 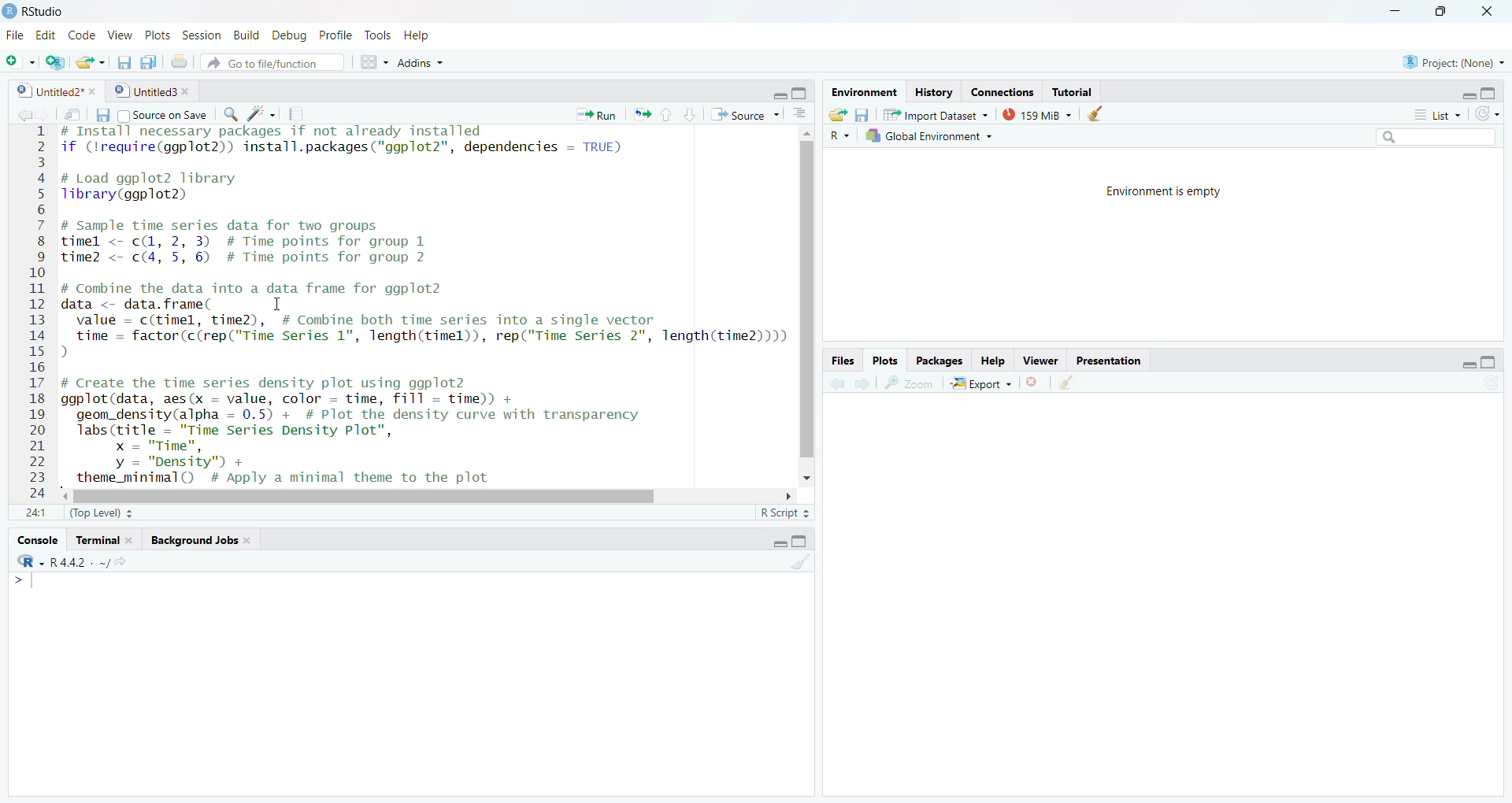 What do you see at coordinates (859, 385) in the screenshot?
I see `Next` at bounding box center [859, 385].